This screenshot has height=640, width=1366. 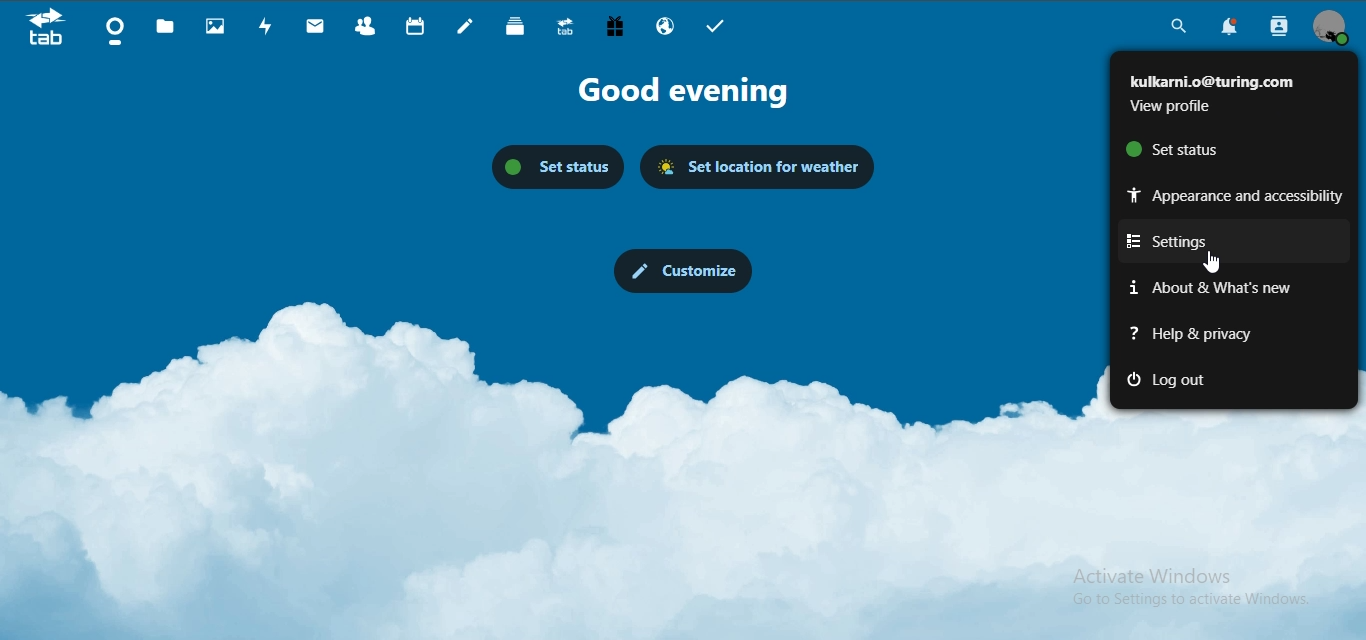 I want to click on kulkami.o@turing.com, so click(x=1215, y=79).